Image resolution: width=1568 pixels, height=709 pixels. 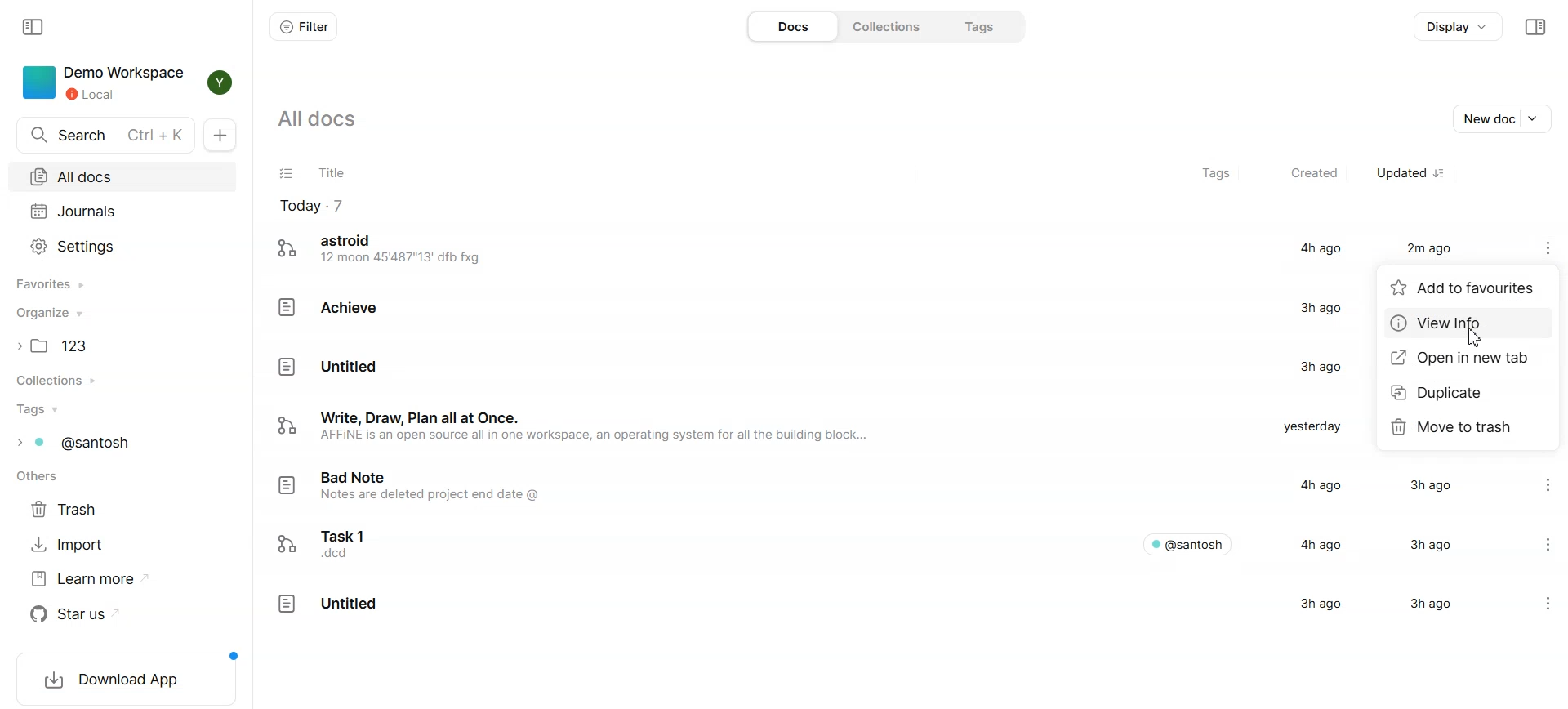 I want to click on New doc, so click(x=1487, y=118).